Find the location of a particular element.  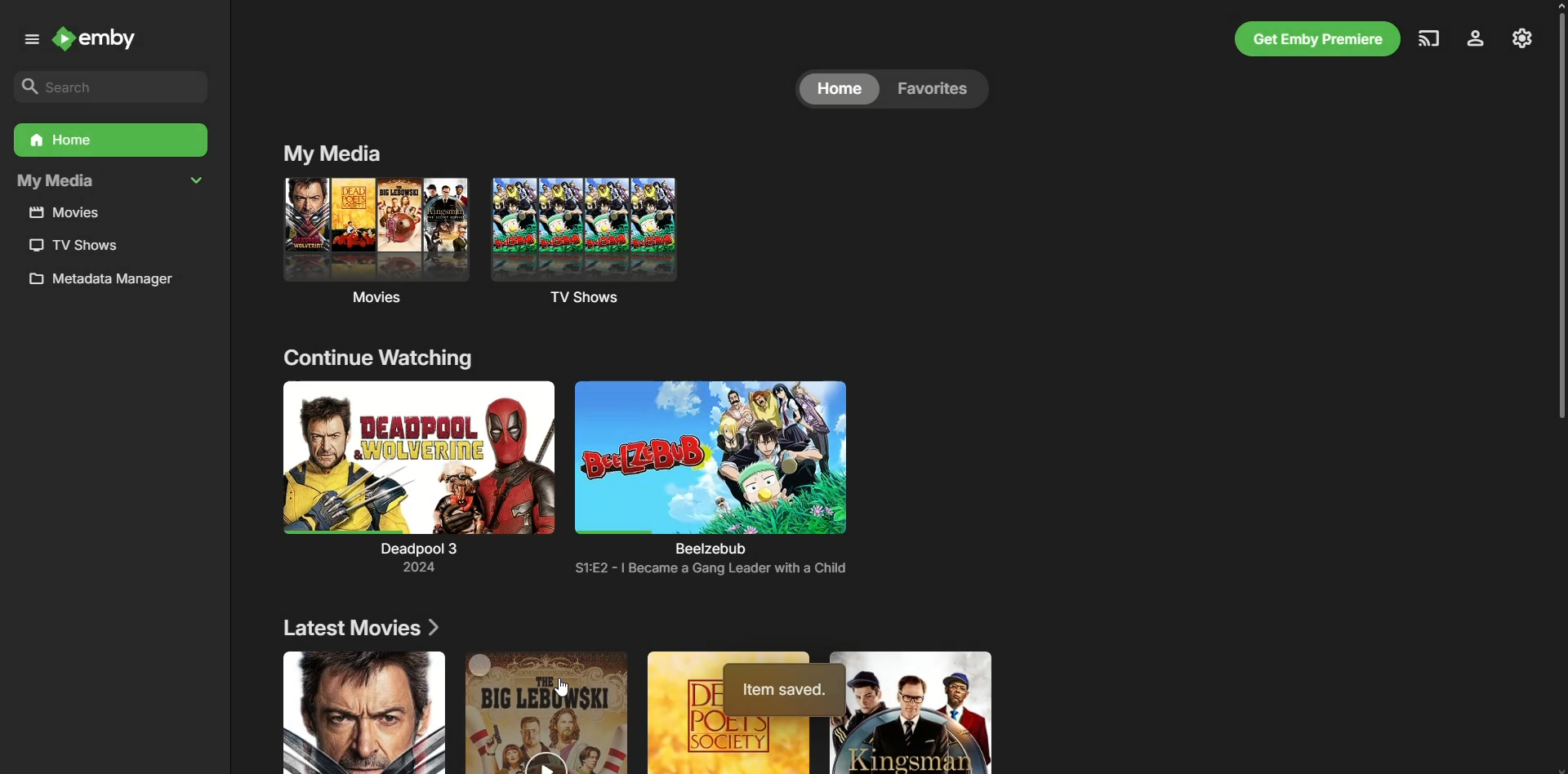

I Became a Gang Leader with a Child is located at coordinates (716, 571).